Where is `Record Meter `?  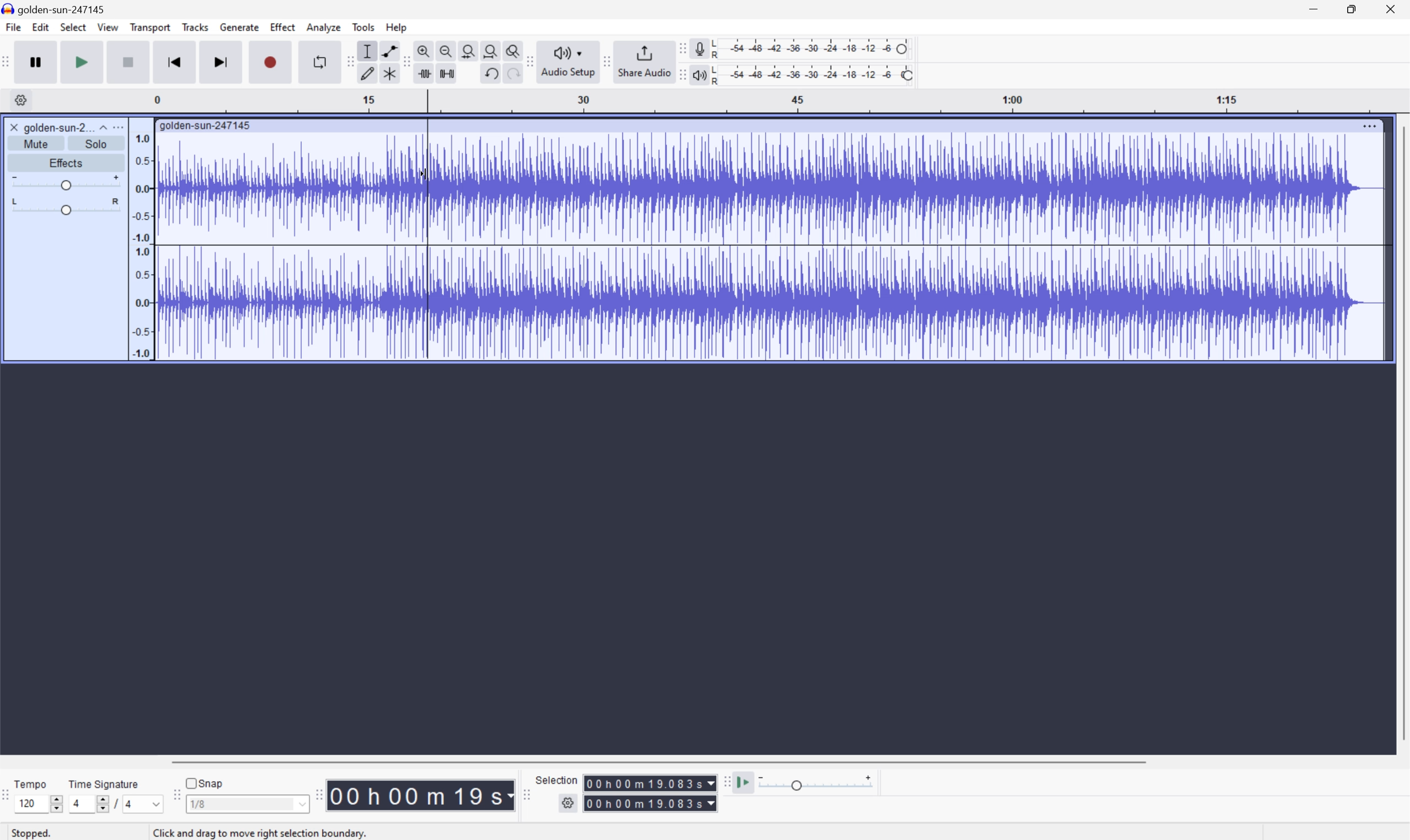
Record Meter  is located at coordinates (699, 47).